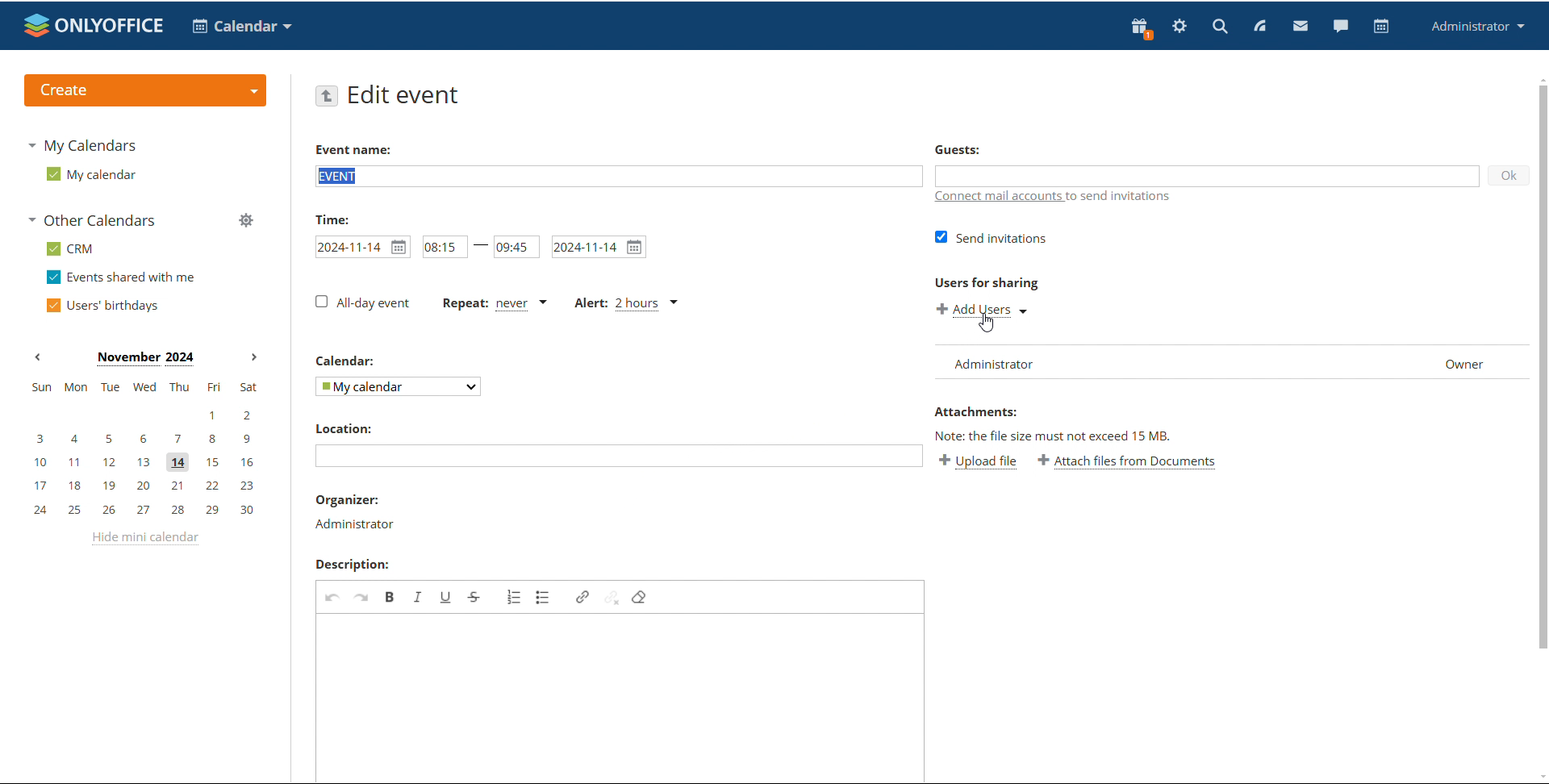 The height and width of the screenshot is (784, 1549). What do you see at coordinates (639, 598) in the screenshot?
I see `remove format` at bounding box center [639, 598].